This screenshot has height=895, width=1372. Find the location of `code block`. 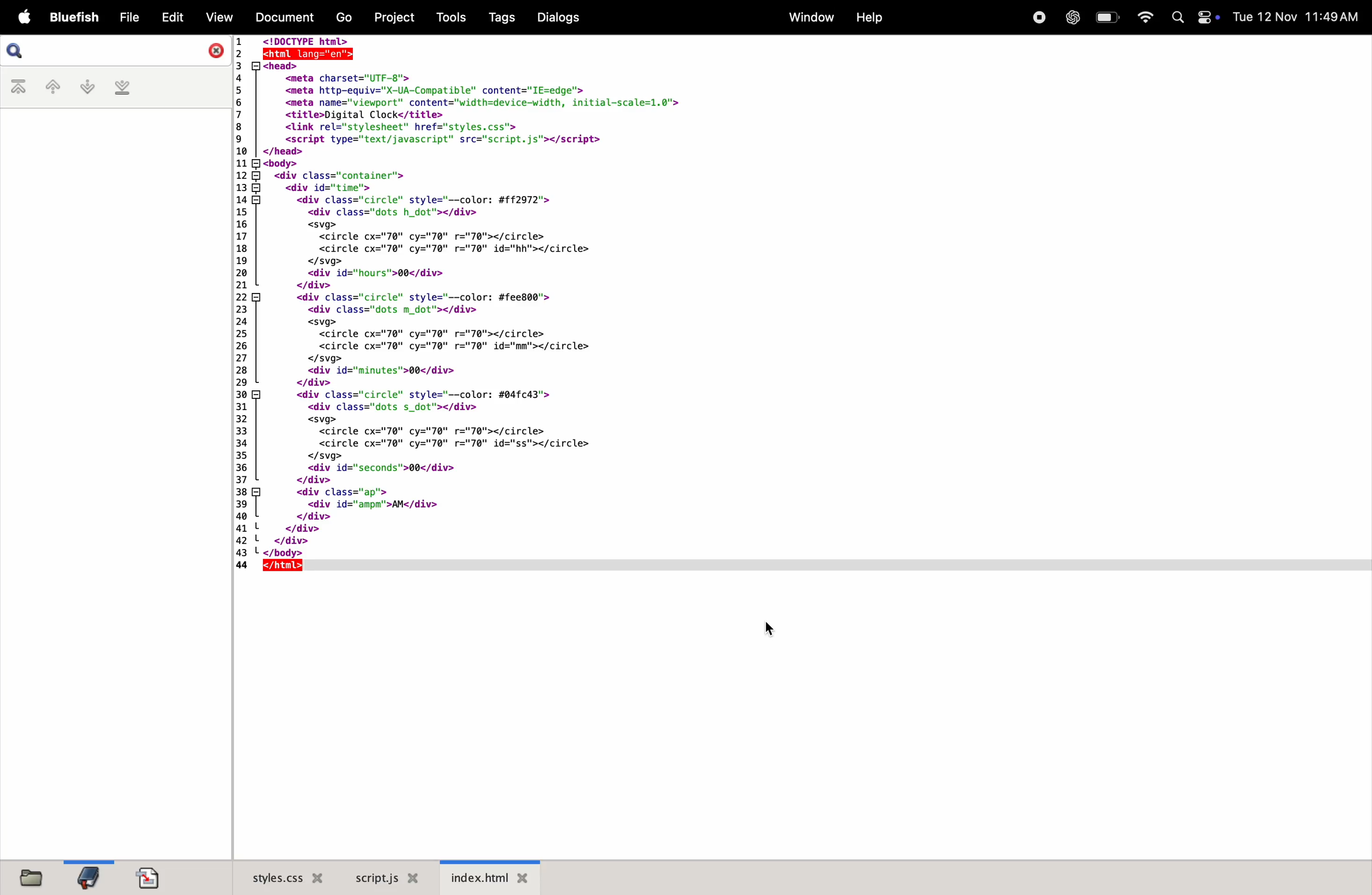

code block is located at coordinates (485, 304).